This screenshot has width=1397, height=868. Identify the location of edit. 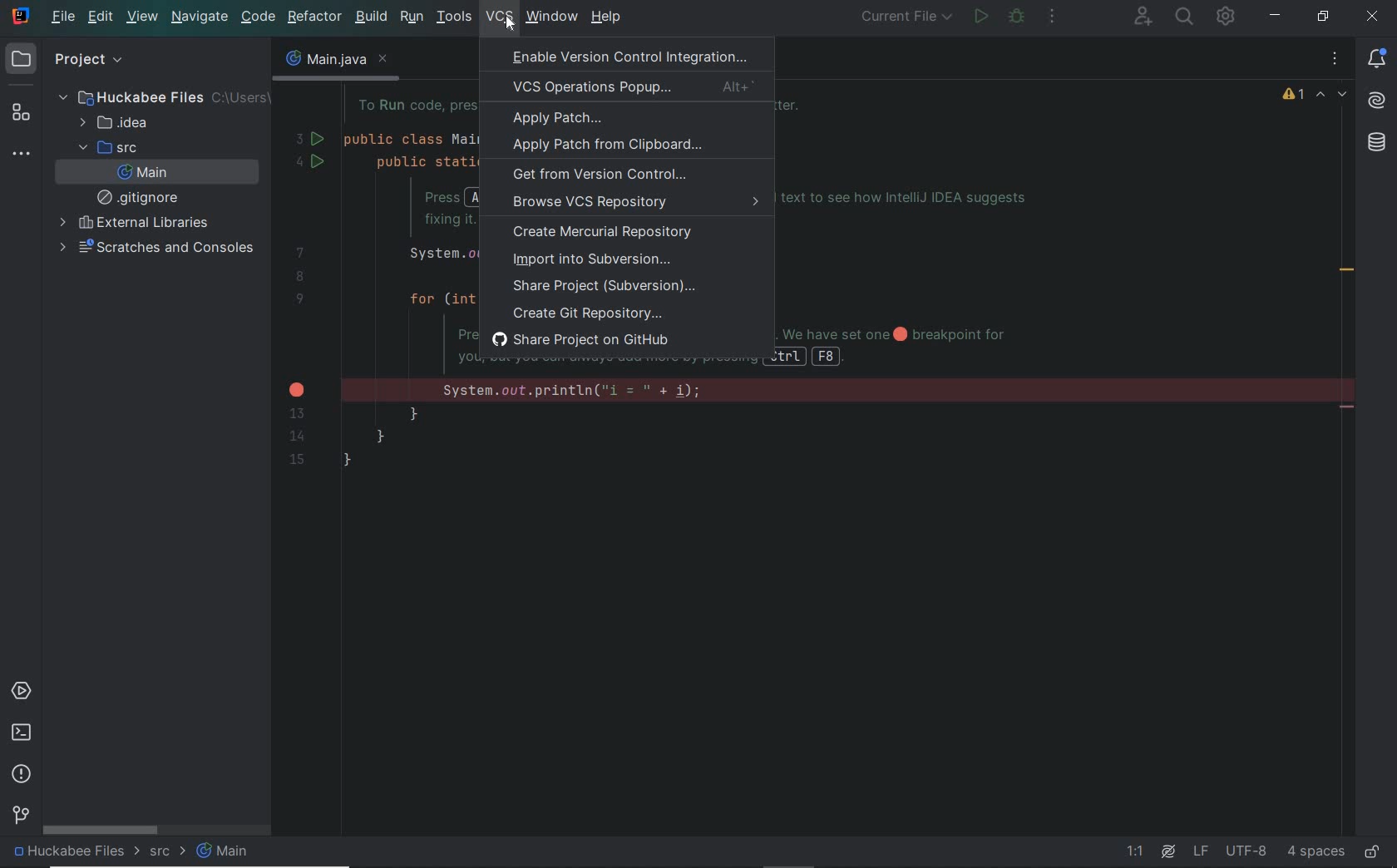
(101, 18).